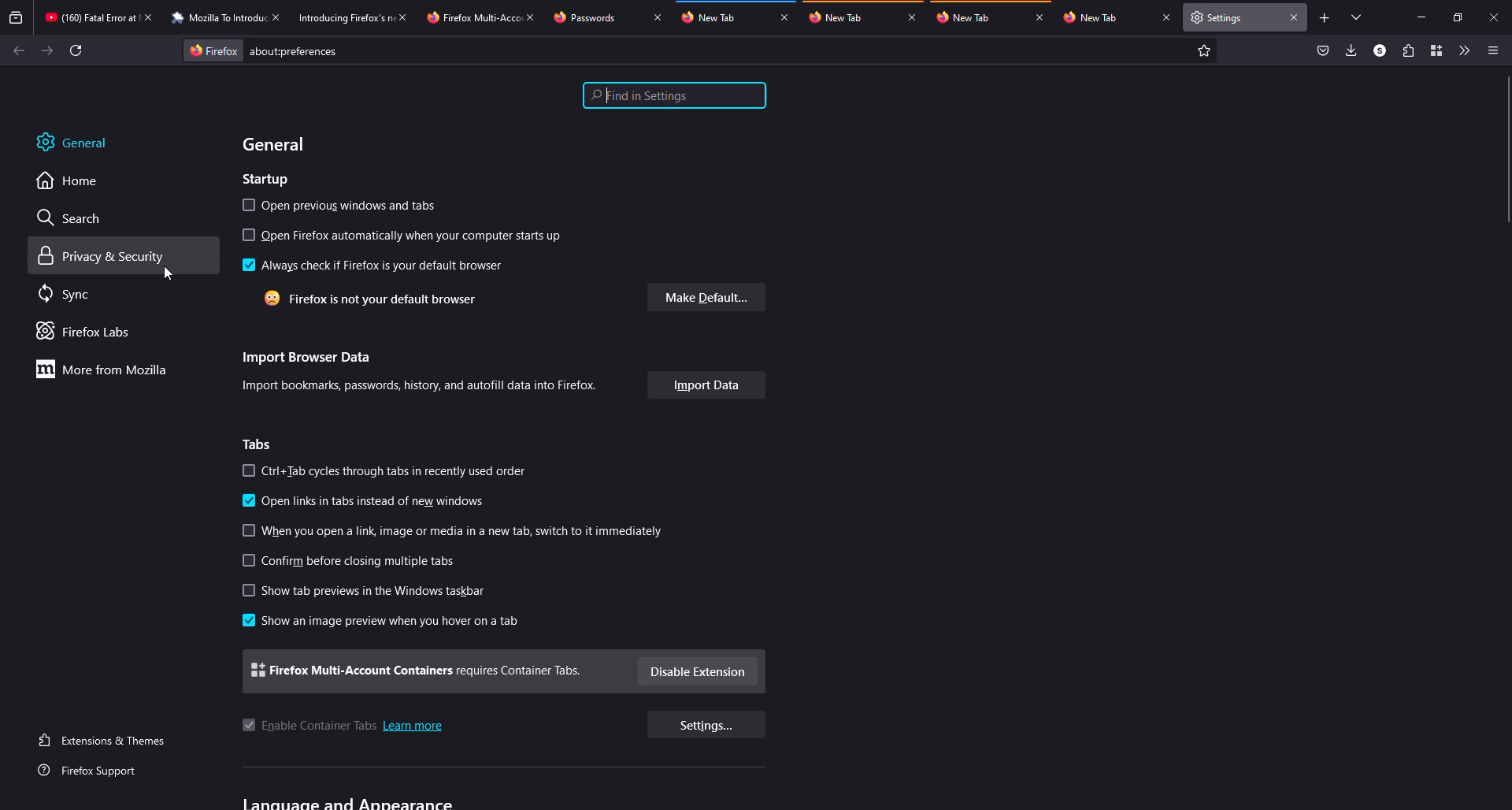 Image resolution: width=1512 pixels, height=810 pixels. I want to click on select, so click(248, 470).